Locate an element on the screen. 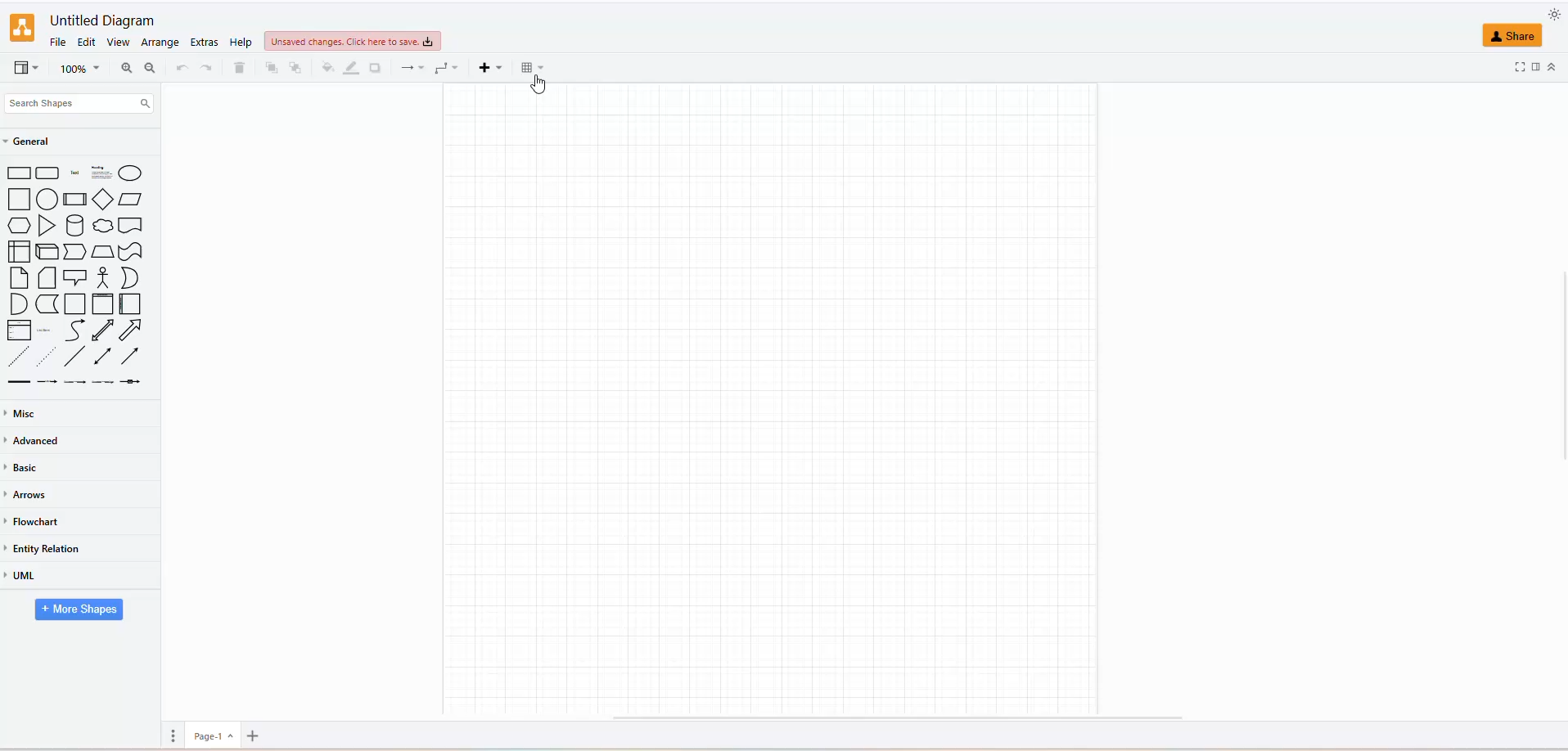 This screenshot has width=1568, height=751. share is located at coordinates (1512, 34).